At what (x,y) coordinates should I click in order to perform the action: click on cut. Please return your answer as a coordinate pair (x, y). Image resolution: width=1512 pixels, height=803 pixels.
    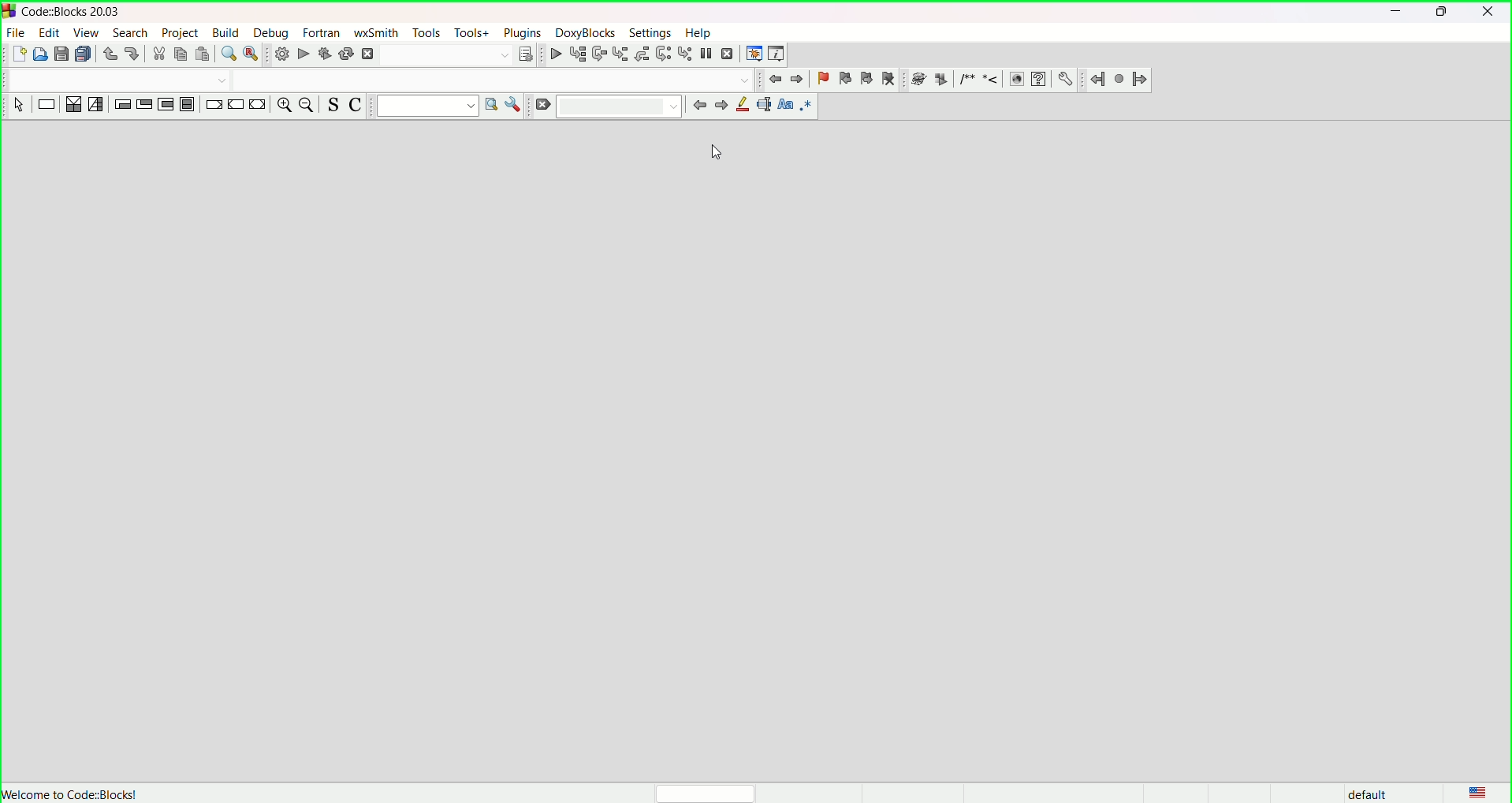
    Looking at the image, I should click on (158, 55).